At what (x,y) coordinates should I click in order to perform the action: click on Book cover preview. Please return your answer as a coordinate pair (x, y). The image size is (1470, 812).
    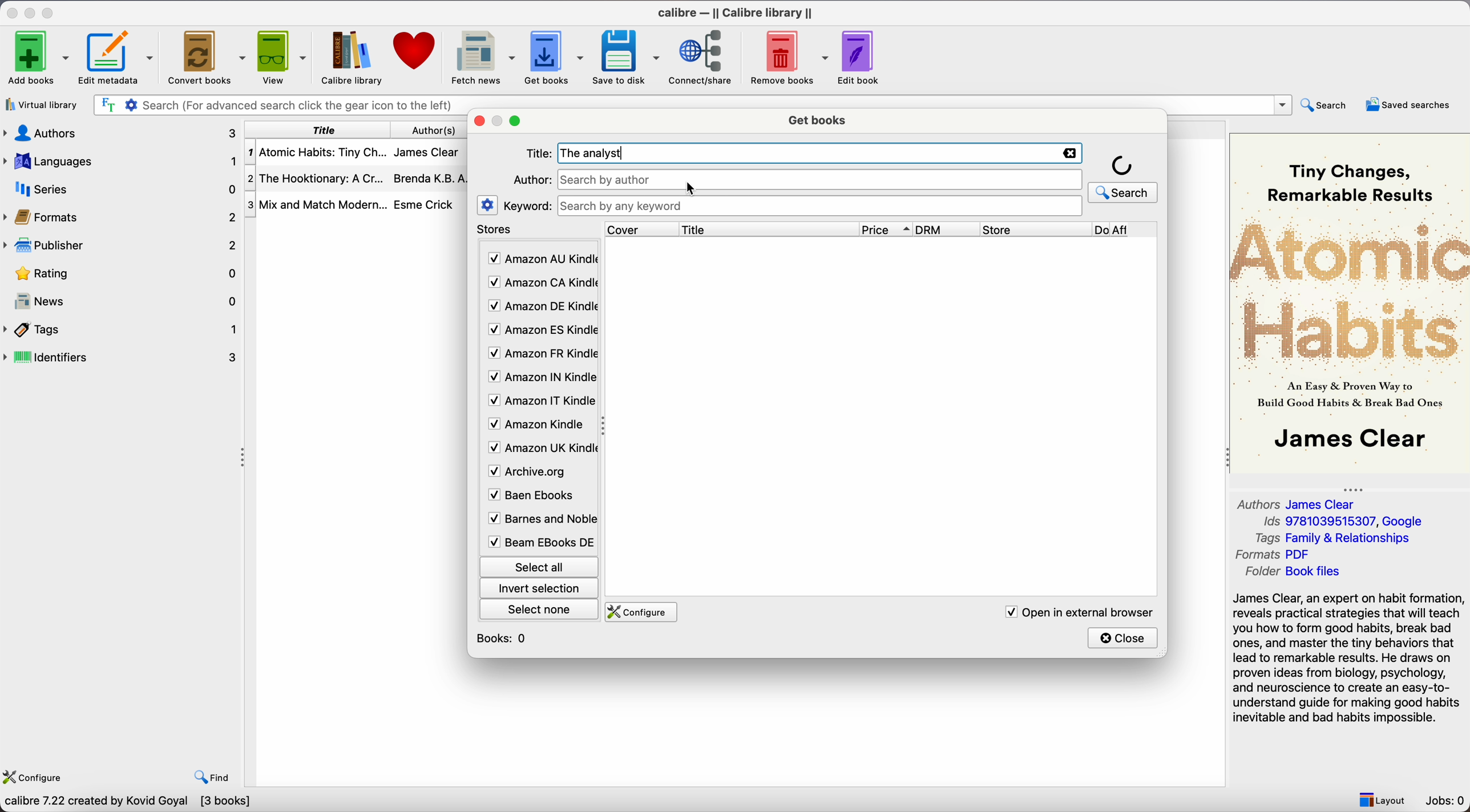
    Looking at the image, I should click on (1350, 302).